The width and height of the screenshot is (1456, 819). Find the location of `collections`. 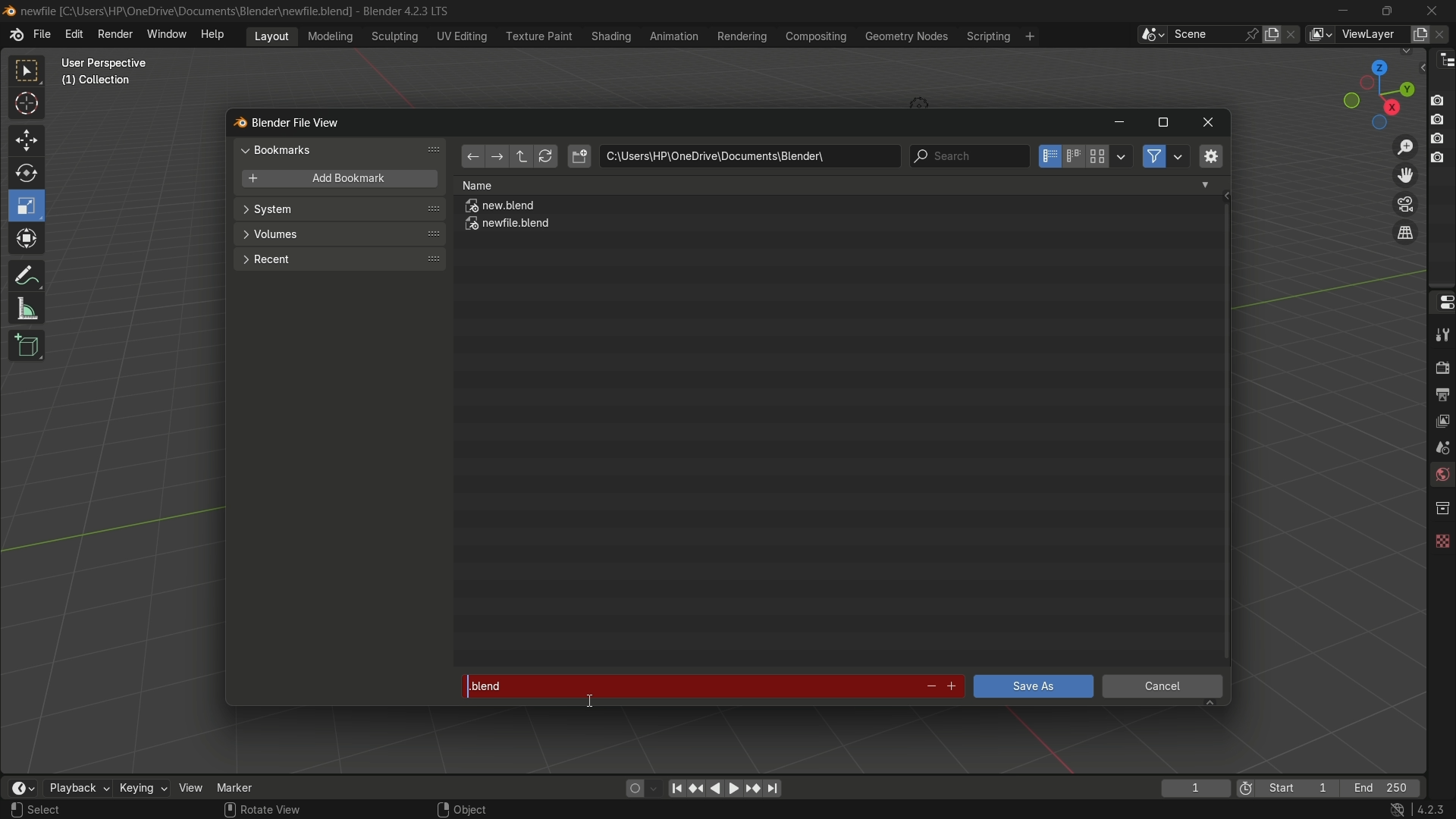

collections is located at coordinates (1442, 508).